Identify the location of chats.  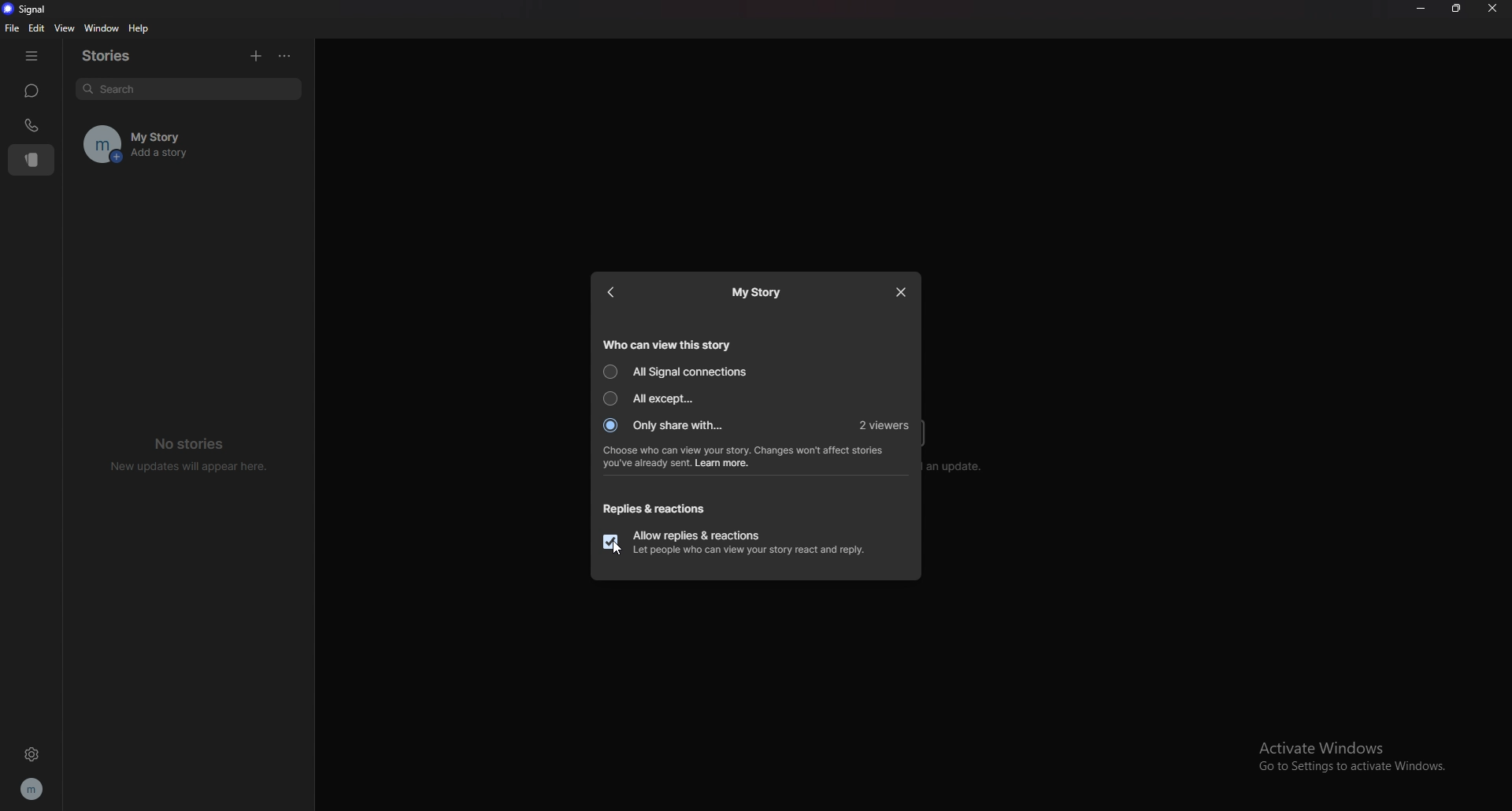
(32, 91).